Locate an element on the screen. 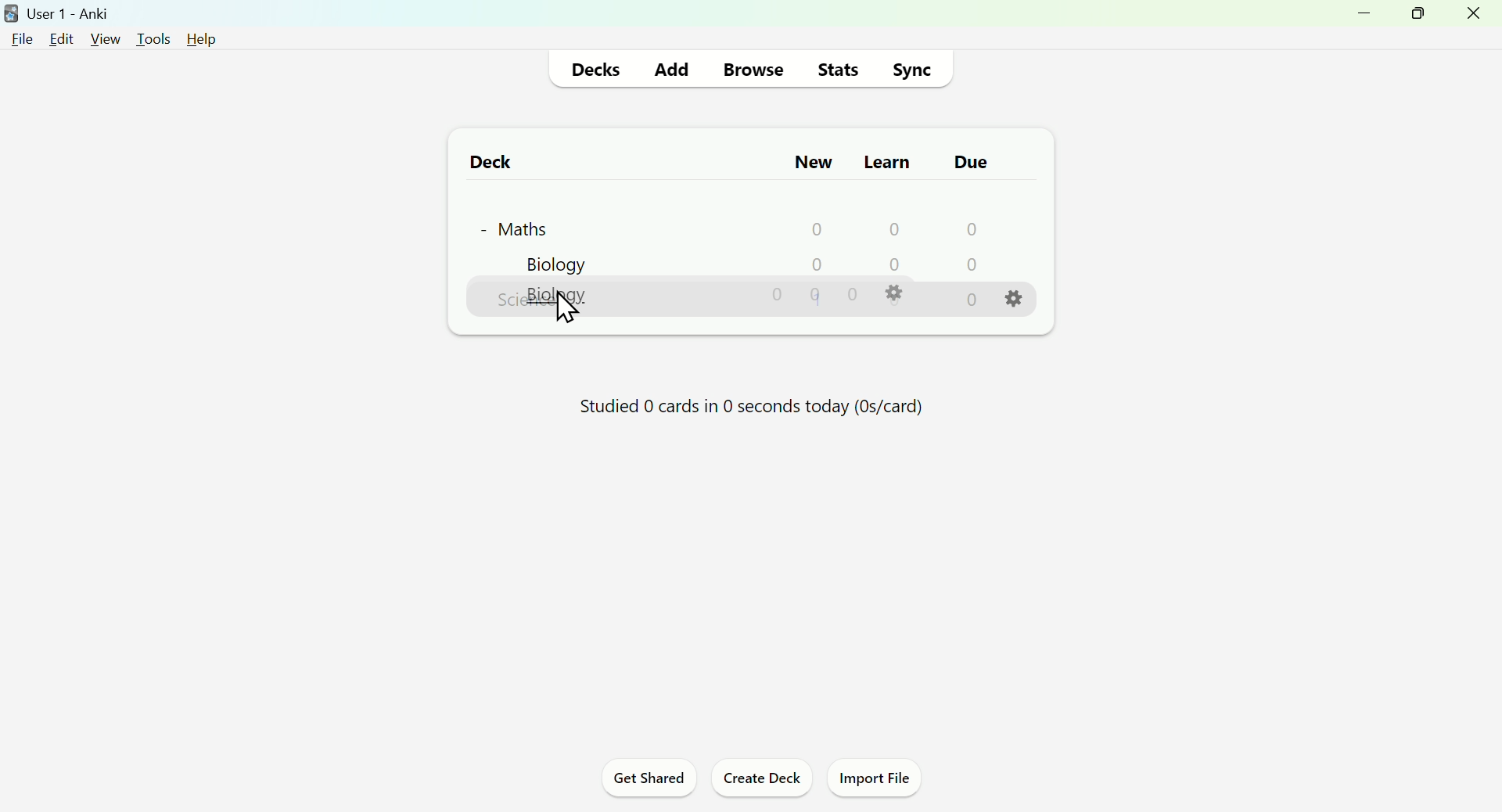 Image resolution: width=1502 pixels, height=812 pixels. 0 is located at coordinates (815, 267).